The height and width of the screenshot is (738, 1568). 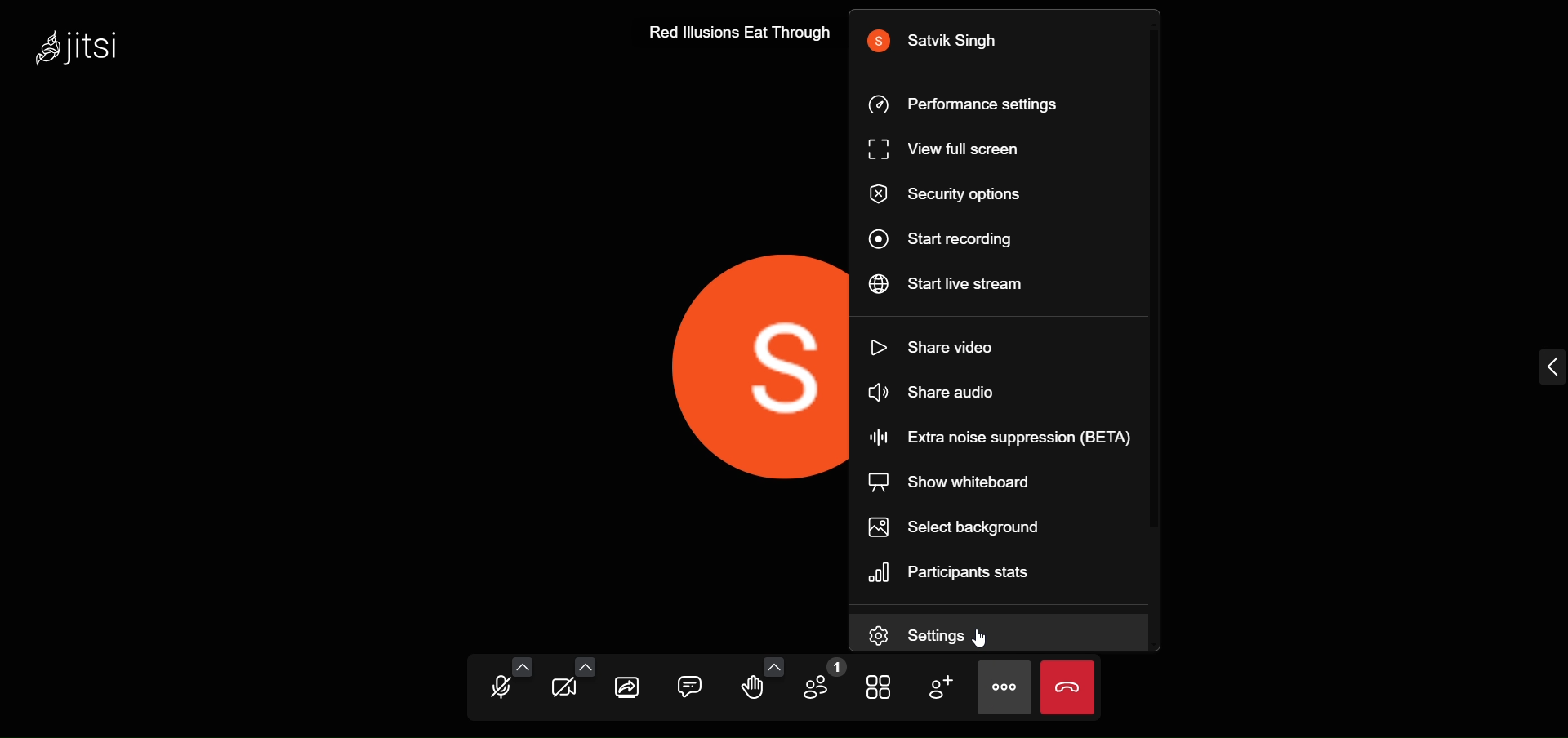 I want to click on Red lllusions Eat Through, so click(x=738, y=33).